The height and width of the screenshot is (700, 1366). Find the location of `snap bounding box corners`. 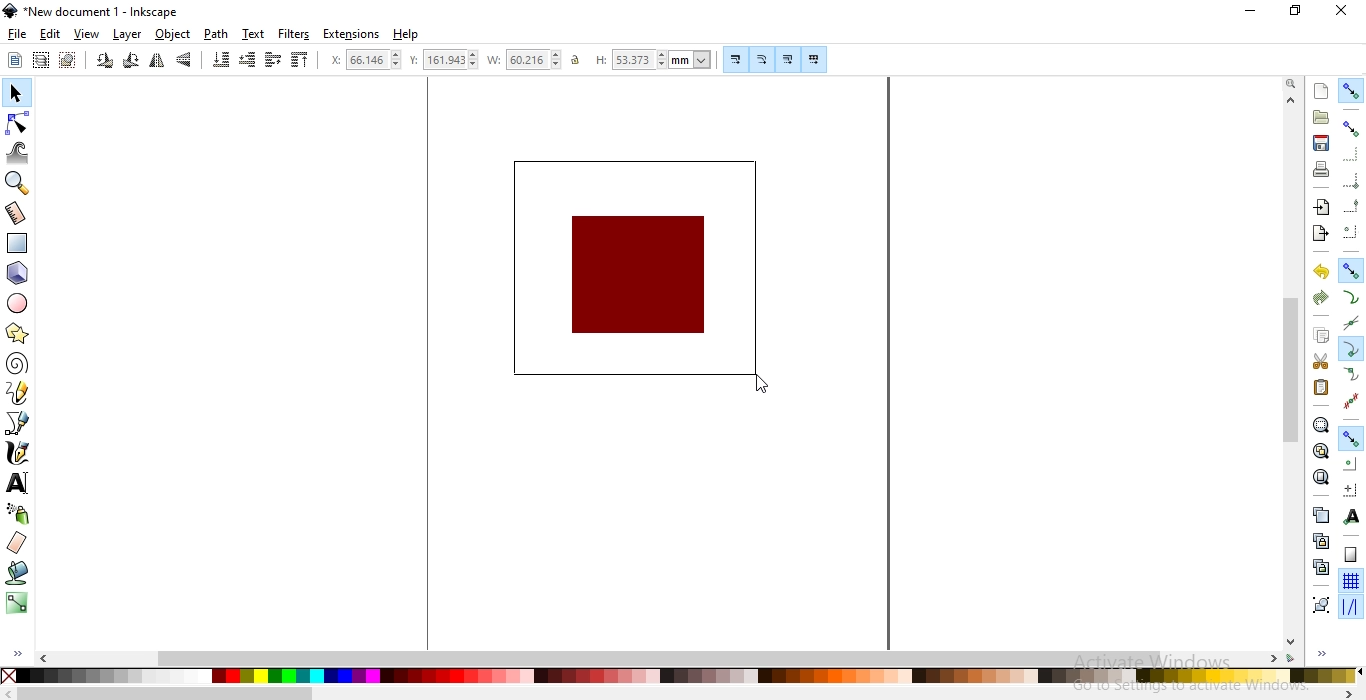

snap bounding box corners is located at coordinates (1352, 183).